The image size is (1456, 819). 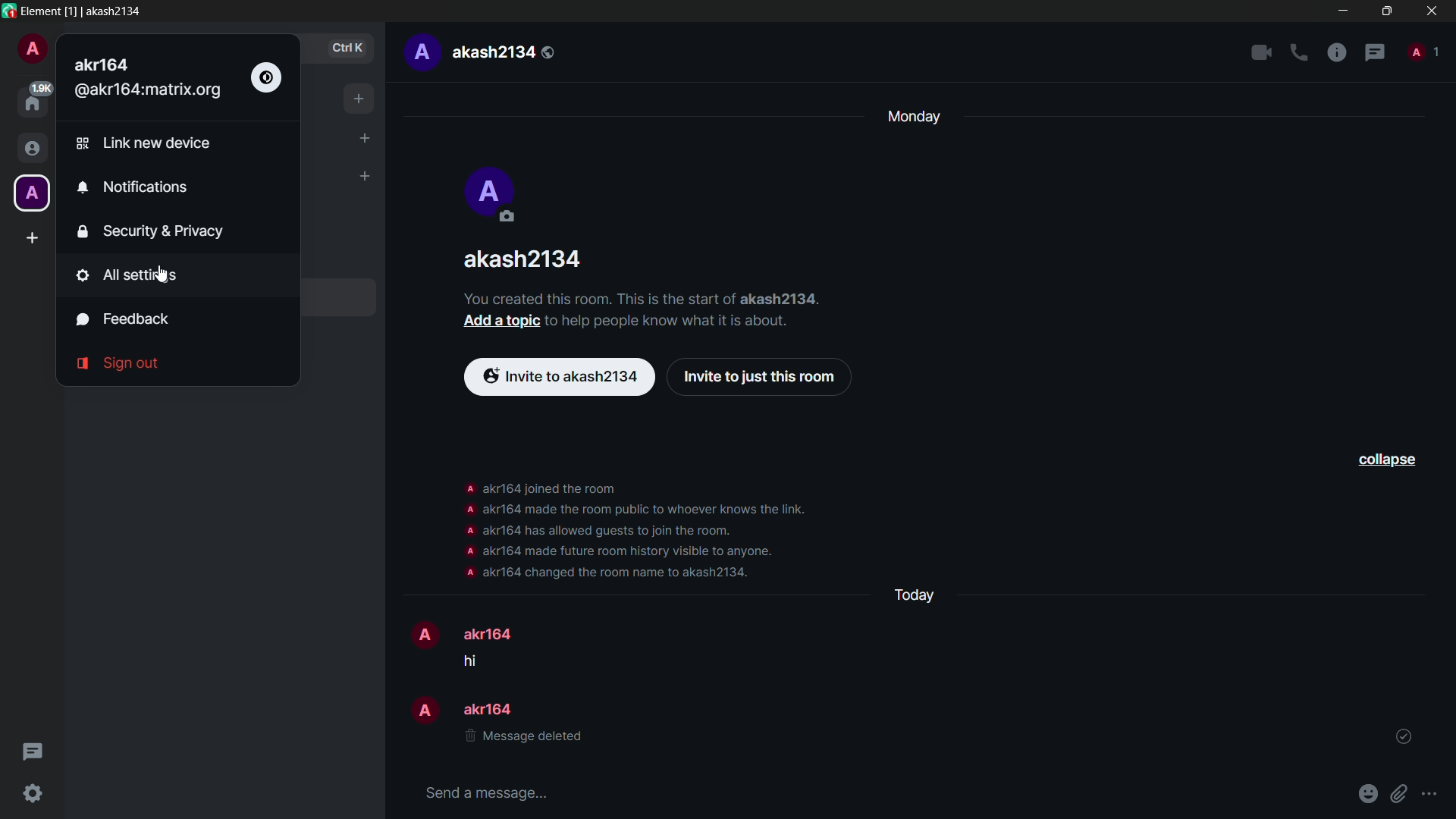 I want to click on add a topic, so click(x=500, y=320).